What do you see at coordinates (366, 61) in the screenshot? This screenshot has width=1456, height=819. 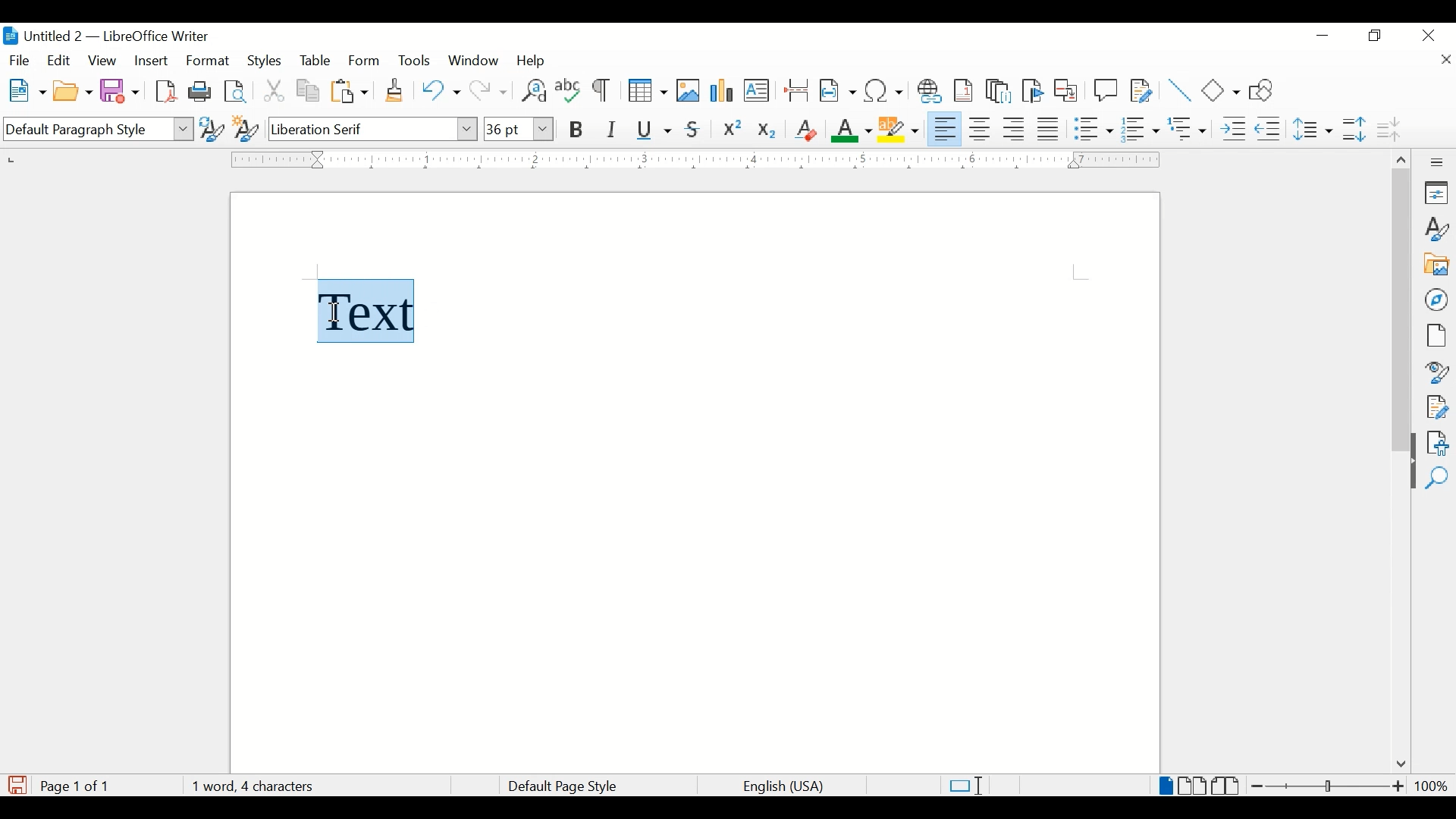 I see `form` at bounding box center [366, 61].